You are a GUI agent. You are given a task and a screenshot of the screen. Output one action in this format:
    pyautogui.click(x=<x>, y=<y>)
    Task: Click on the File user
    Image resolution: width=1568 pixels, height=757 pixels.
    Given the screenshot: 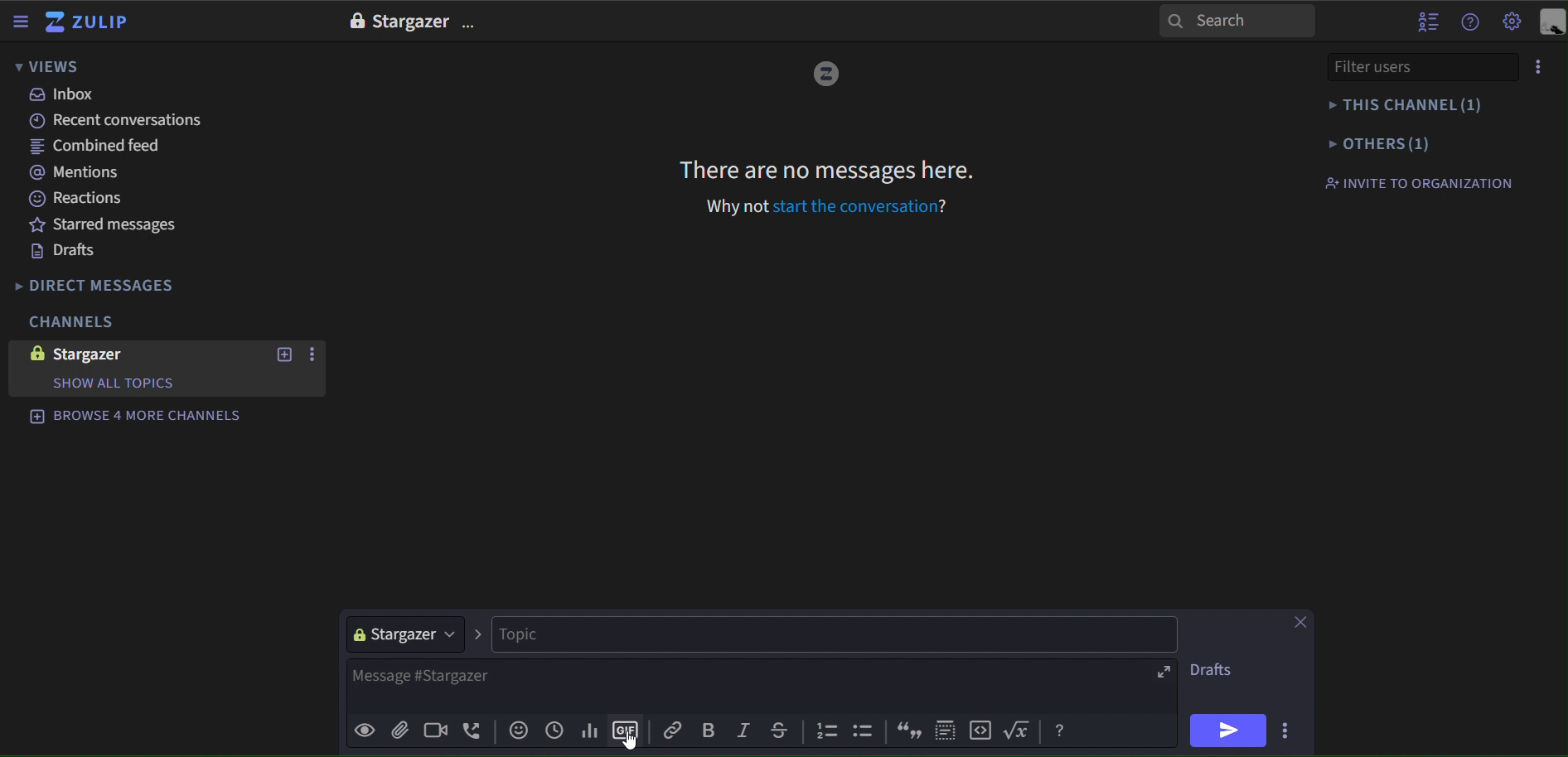 What is the action you would take?
    pyautogui.click(x=1398, y=66)
    